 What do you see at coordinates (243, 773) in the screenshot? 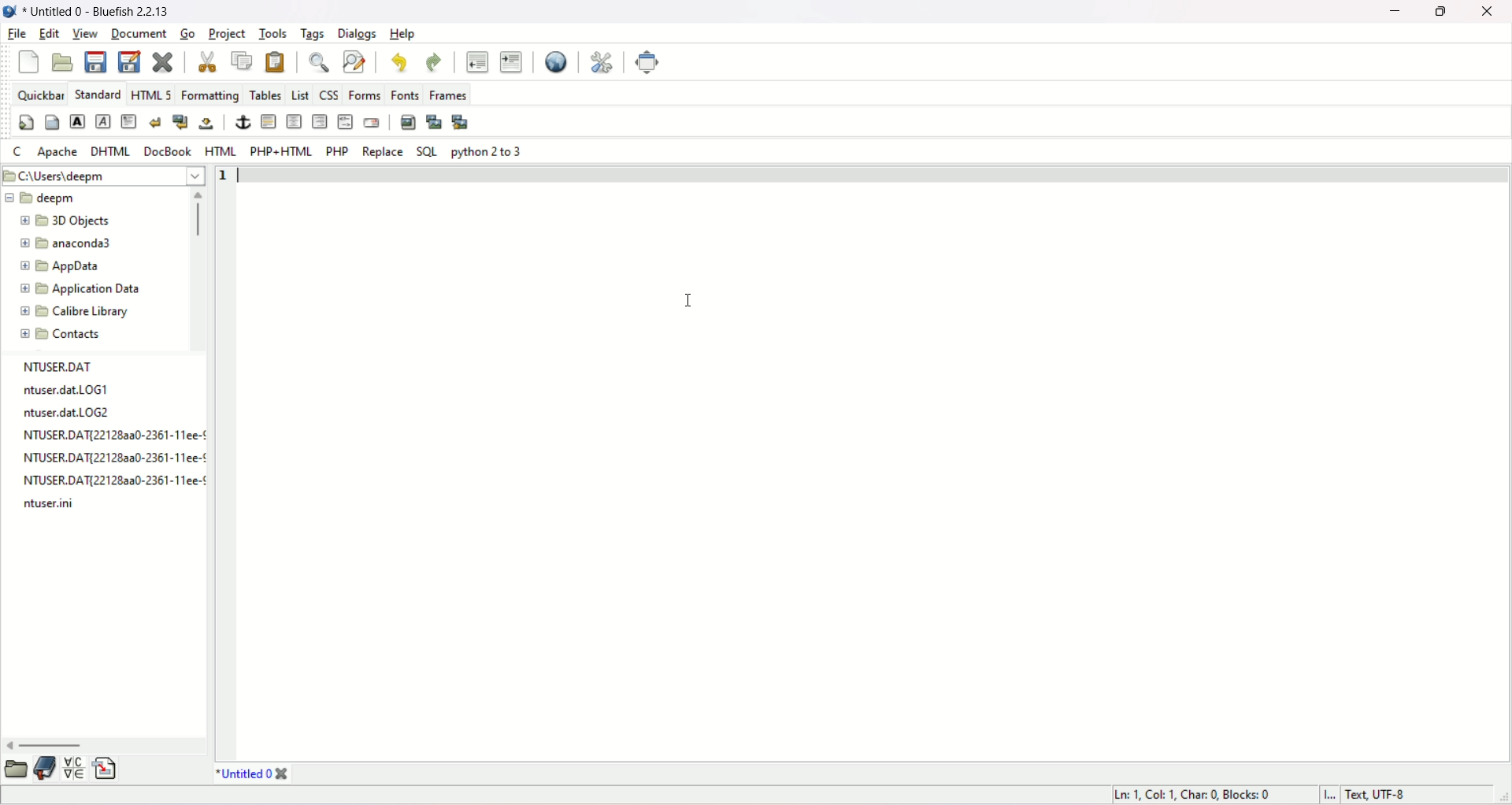
I see `document name` at bounding box center [243, 773].